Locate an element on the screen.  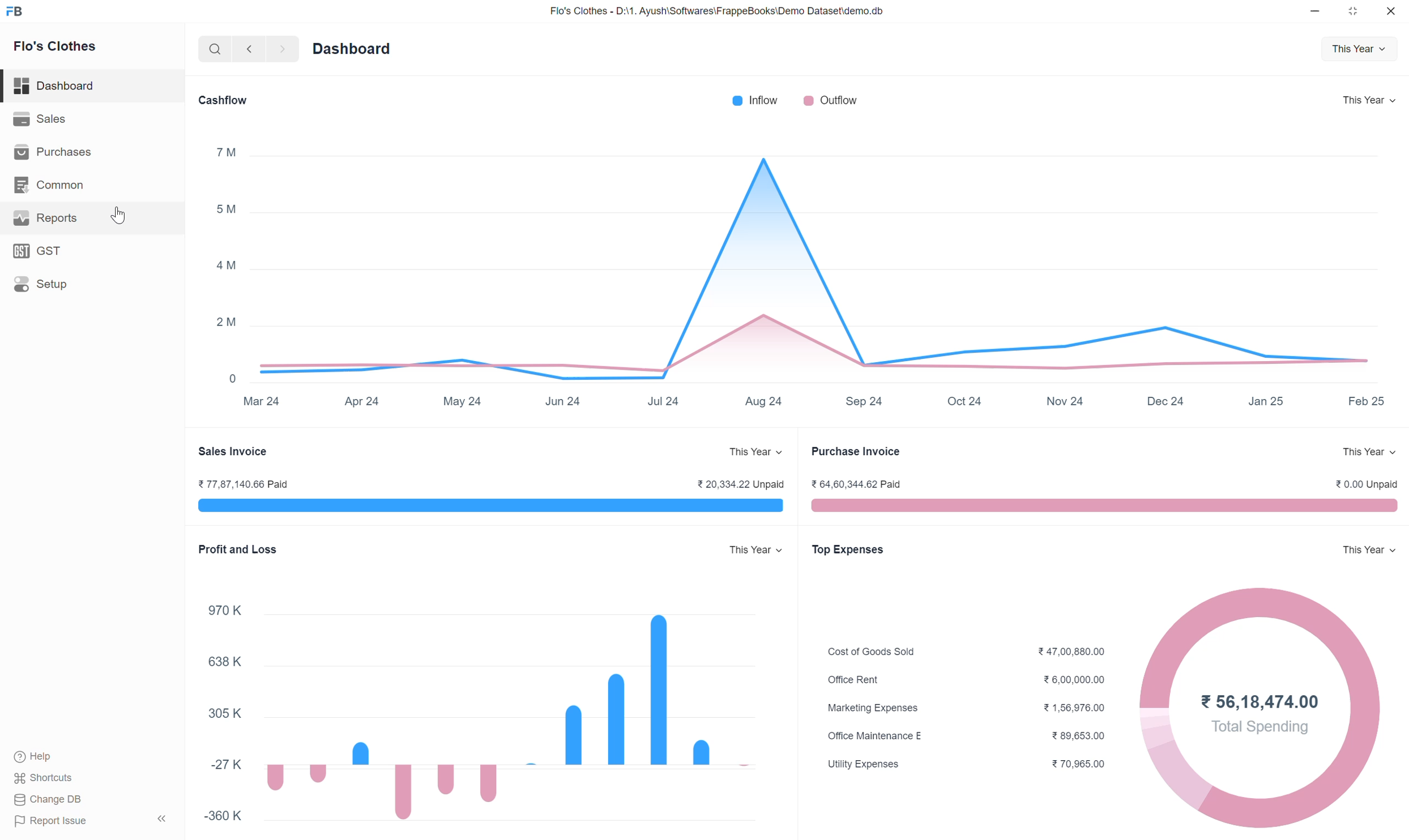
2 m is located at coordinates (227, 320).